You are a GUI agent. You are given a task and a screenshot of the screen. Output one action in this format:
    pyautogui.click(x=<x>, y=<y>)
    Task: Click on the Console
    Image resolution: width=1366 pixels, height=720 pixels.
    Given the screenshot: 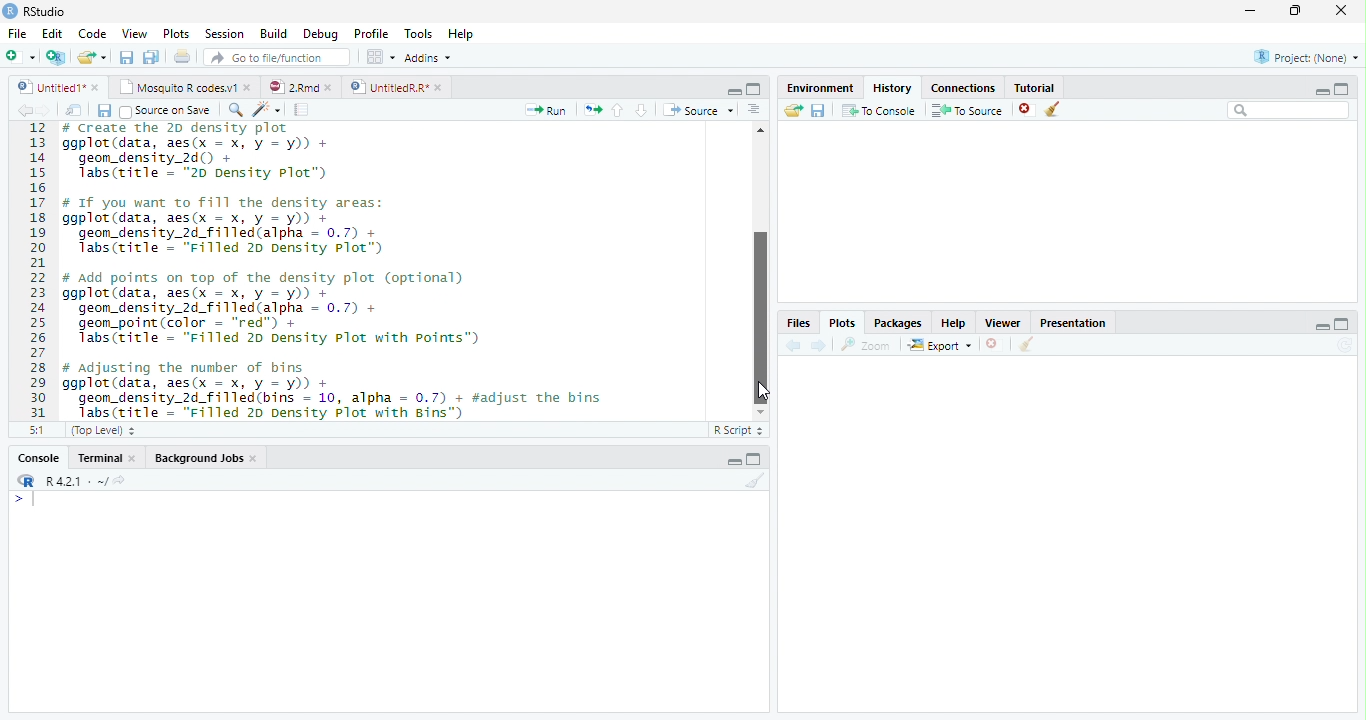 What is the action you would take?
    pyautogui.click(x=38, y=459)
    